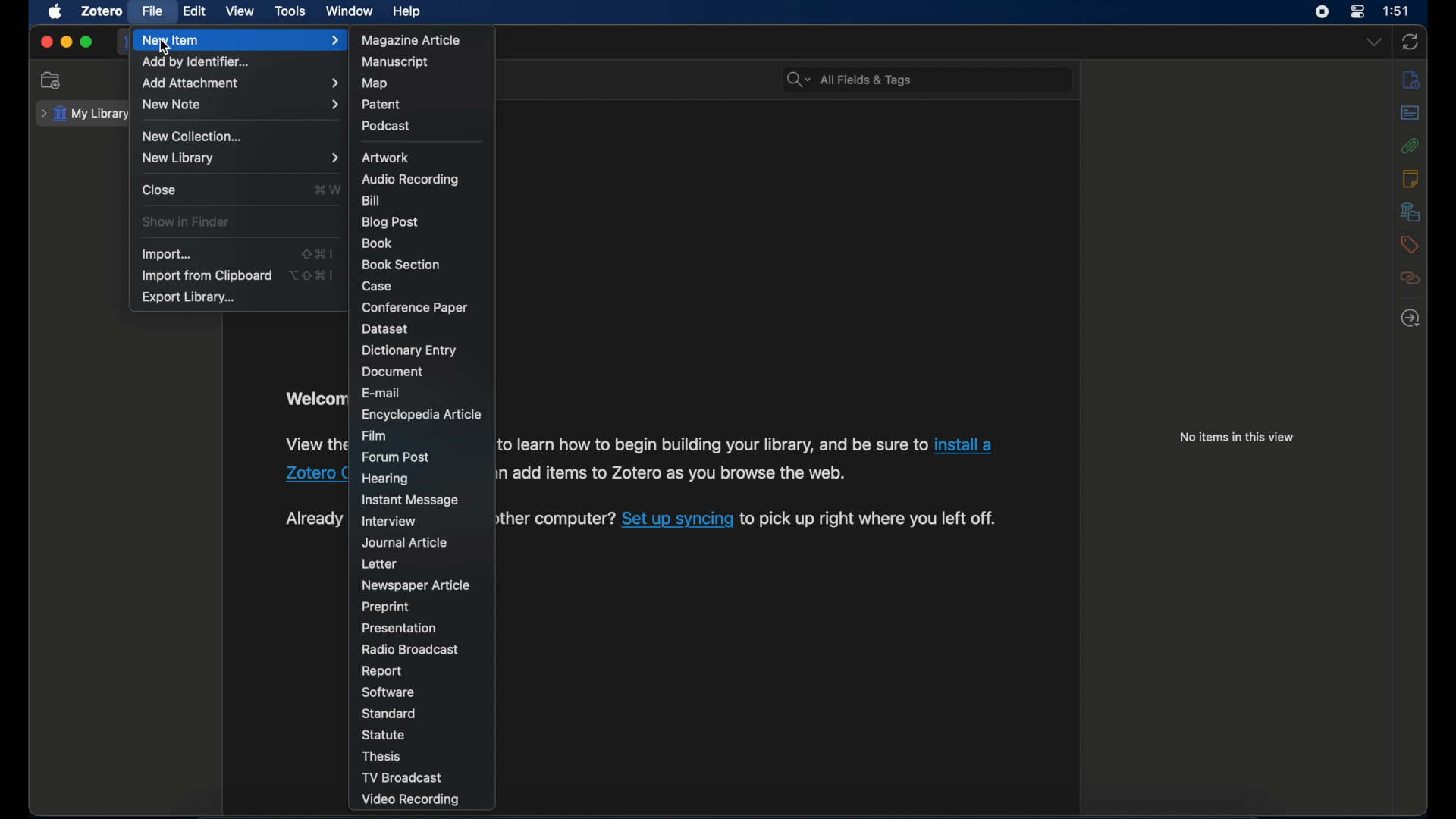 The image size is (1456, 819). Describe the element at coordinates (196, 12) in the screenshot. I see `edit` at that location.